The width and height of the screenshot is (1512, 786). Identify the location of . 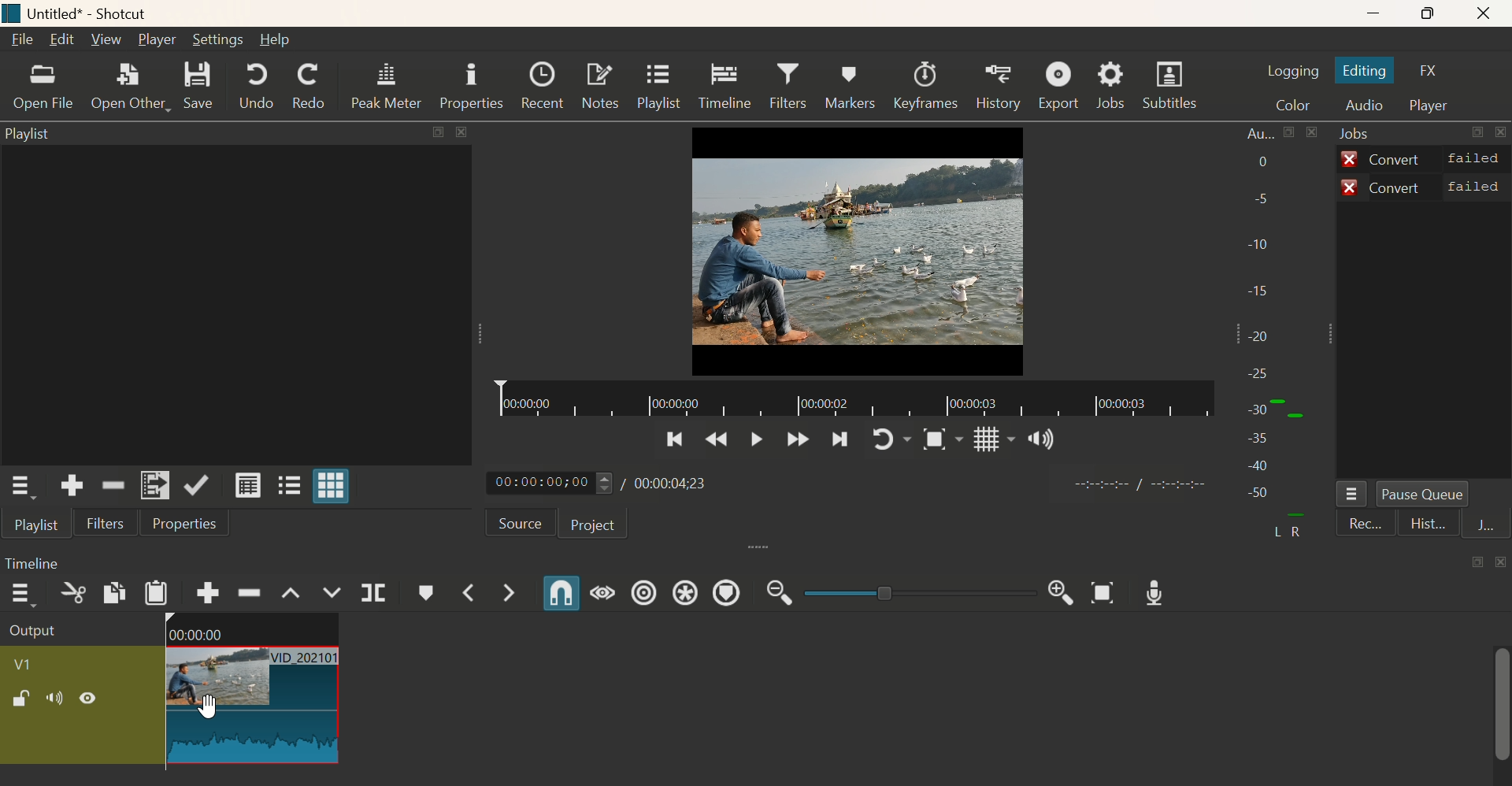
(192, 528).